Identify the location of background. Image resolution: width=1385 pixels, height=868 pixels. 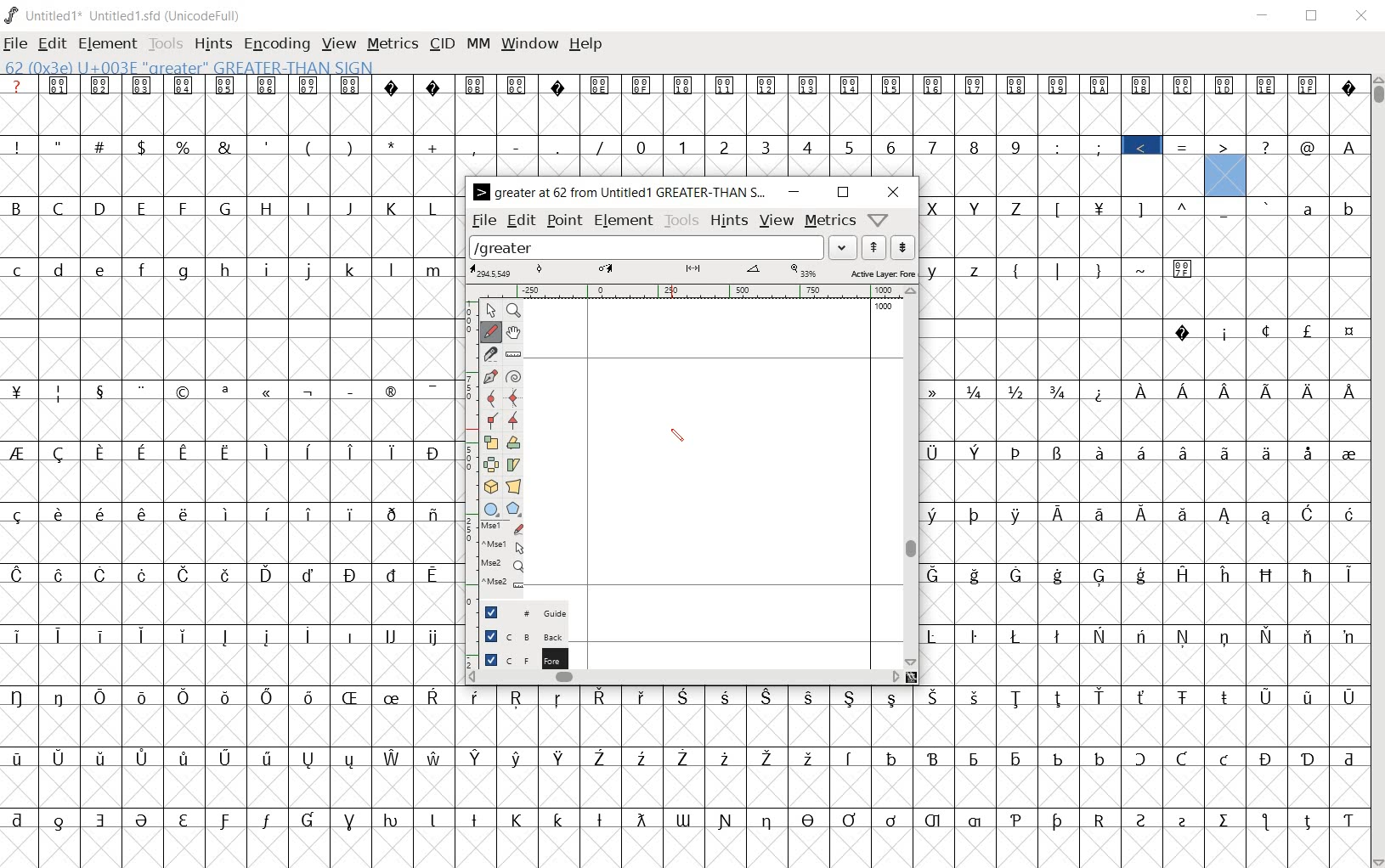
(518, 636).